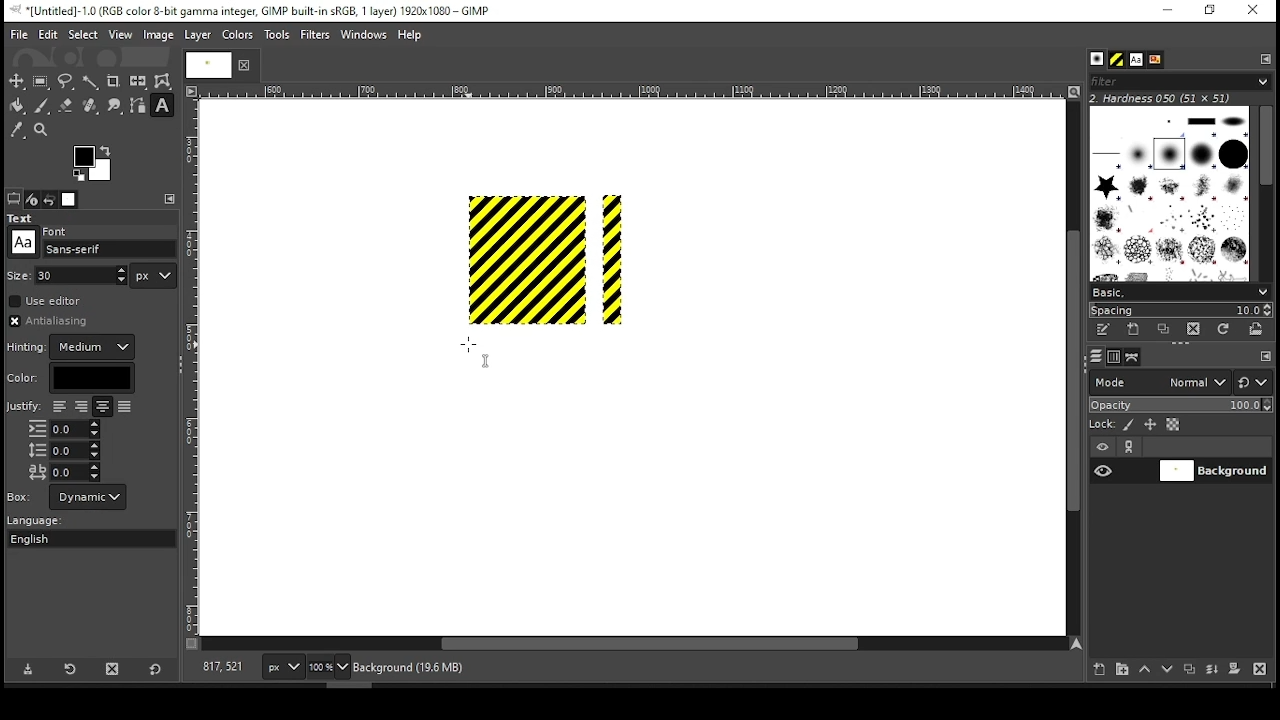  What do you see at coordinates (47, 301) in the screenshot?
I see `use editor` at bounding box center [47, 301].